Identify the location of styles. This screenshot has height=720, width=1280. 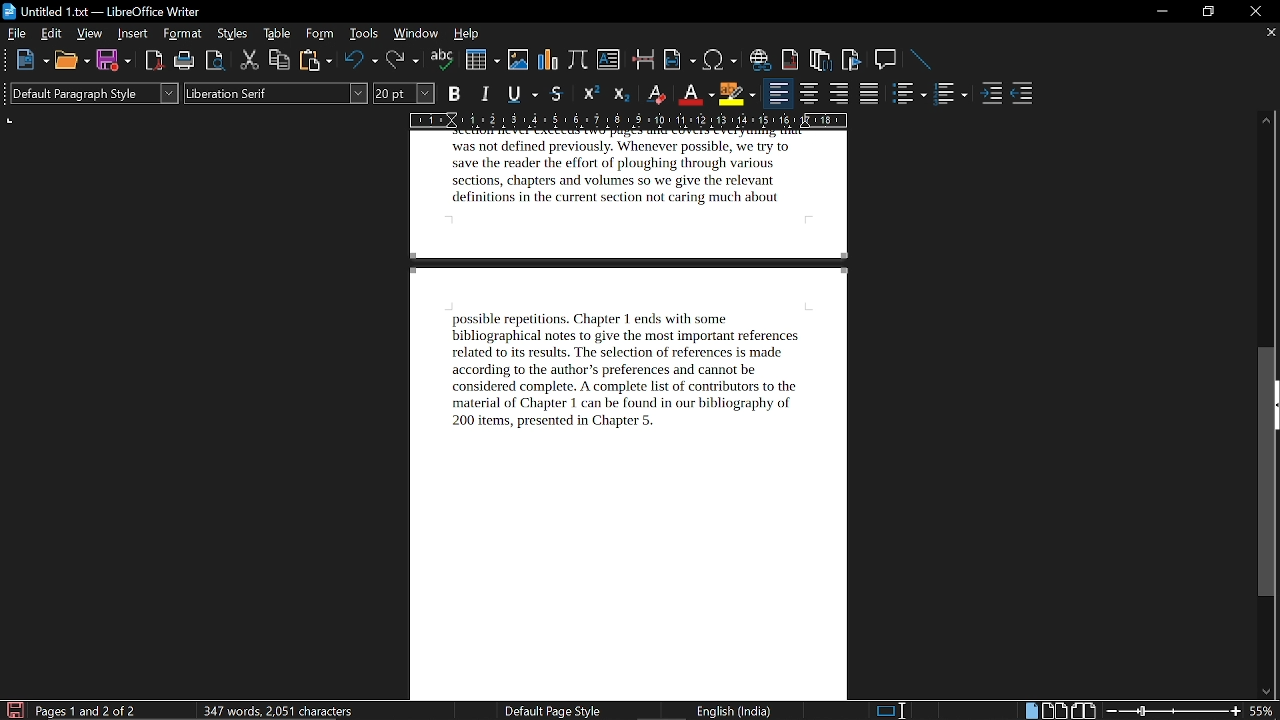
(232, 34).